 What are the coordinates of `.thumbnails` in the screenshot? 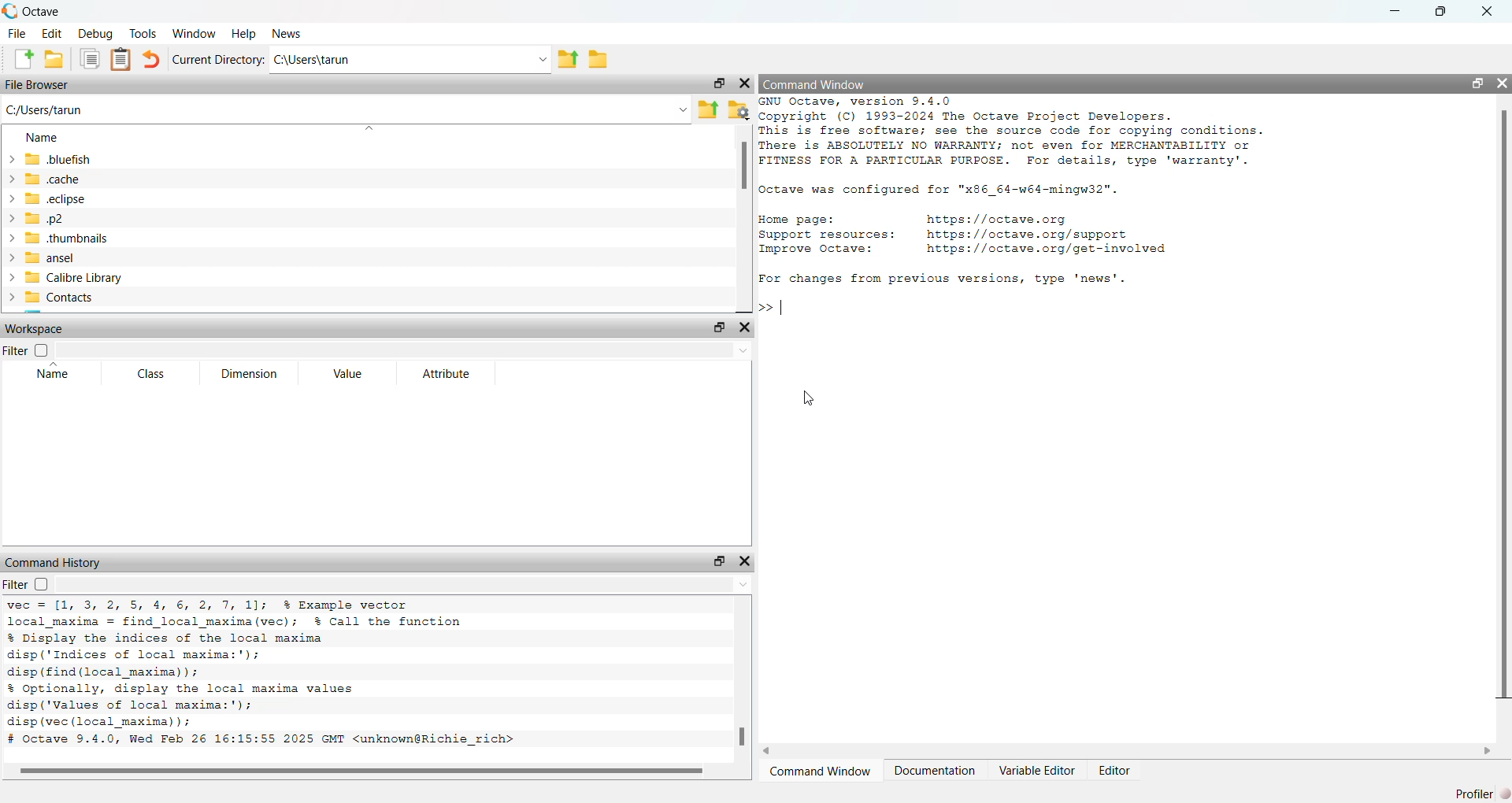 It's located at (72, 239).